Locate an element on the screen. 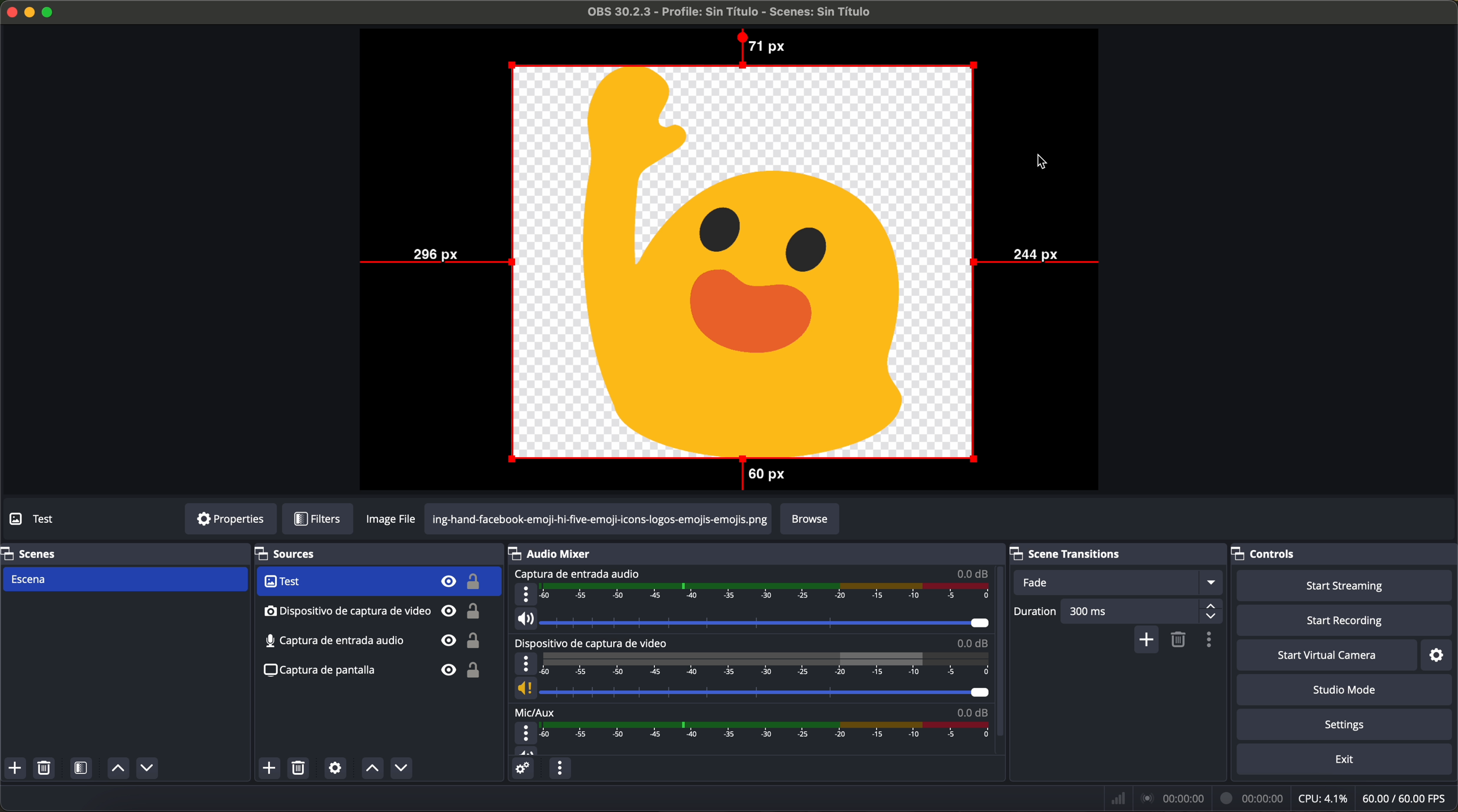 Image resolution: width=1458 pixels, height=812 pixels. 244 px distance is located at coordinates (1039, 259).